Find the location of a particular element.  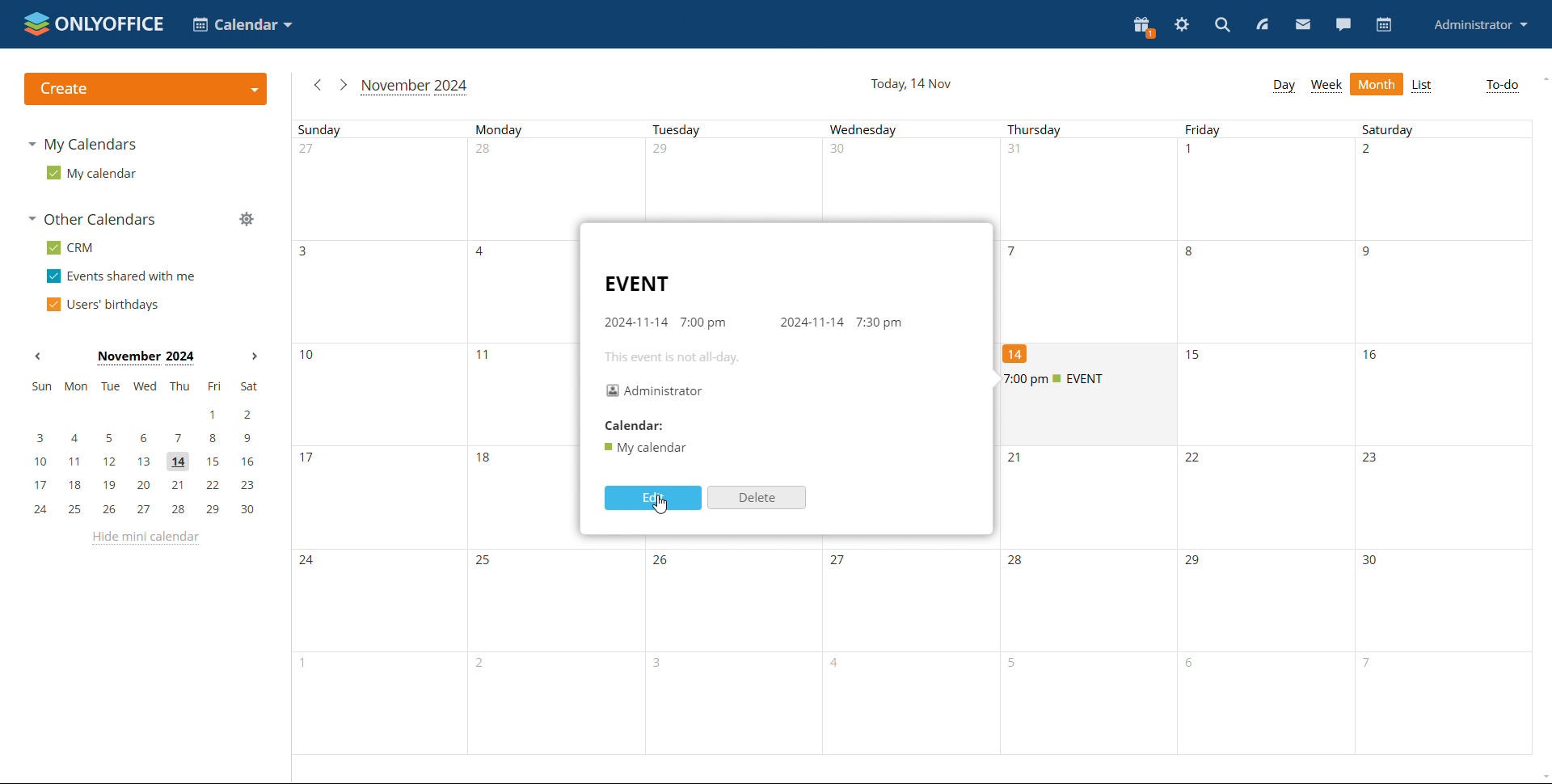

number is located at coordinates (1374, 154).